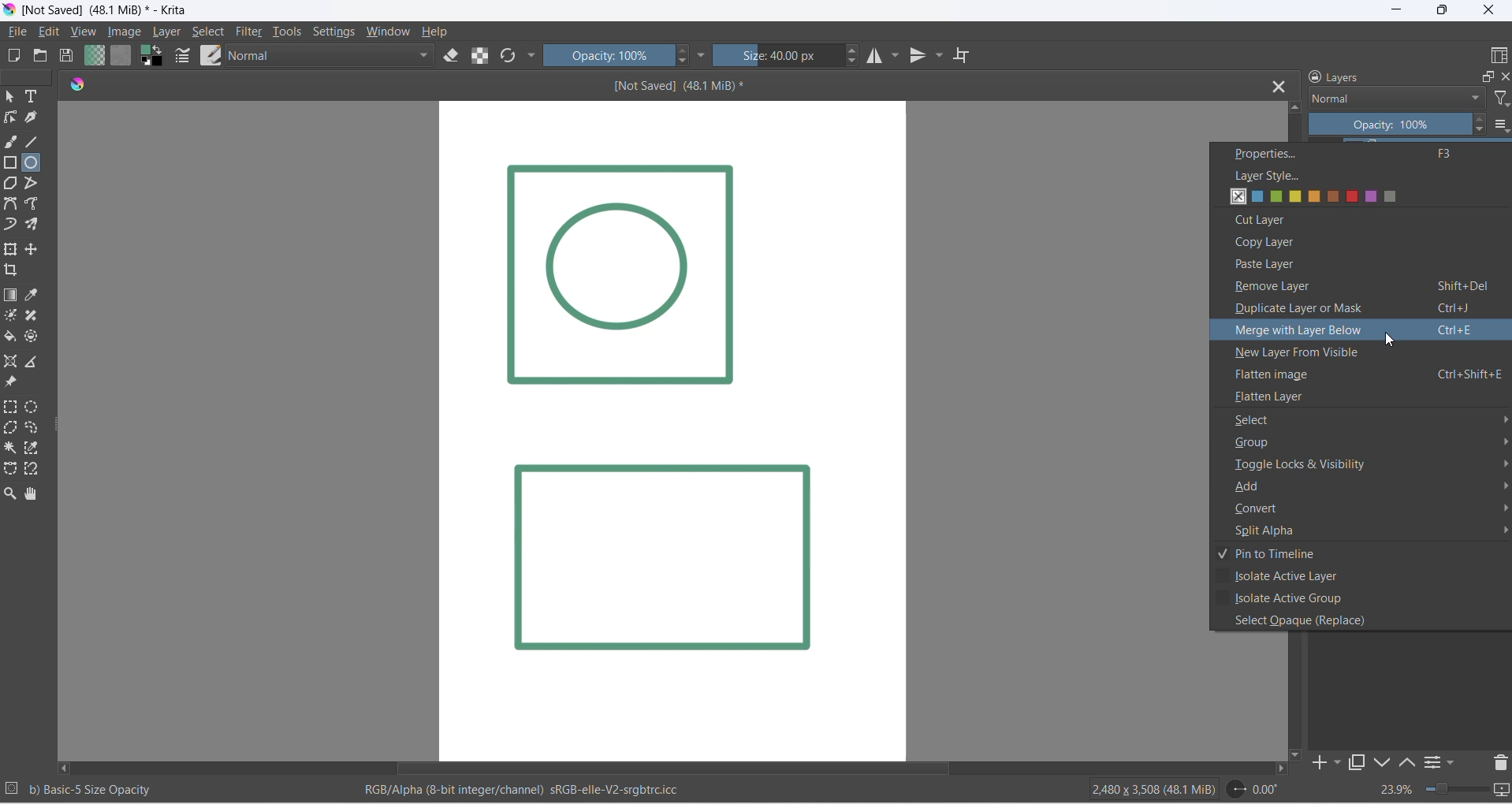  Describe the element at coordinates (37, 315) in the screenshot. I see `patch tool` at that location.